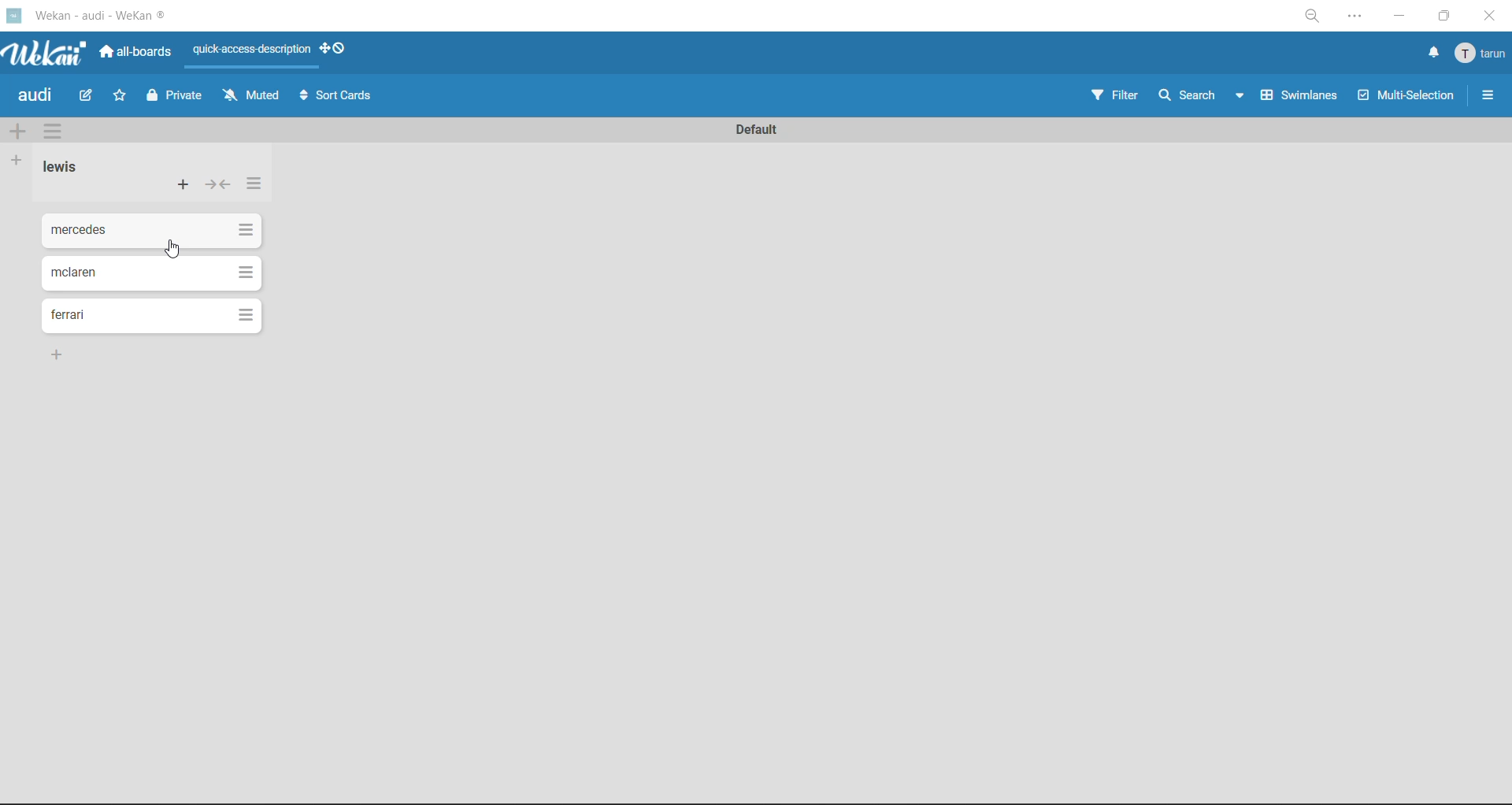 The image size is (1512, 805). What do you see at coordinates (339, 48) in the screenshot?
I see `show desktop drag handles` at bounding box center [339, 48].